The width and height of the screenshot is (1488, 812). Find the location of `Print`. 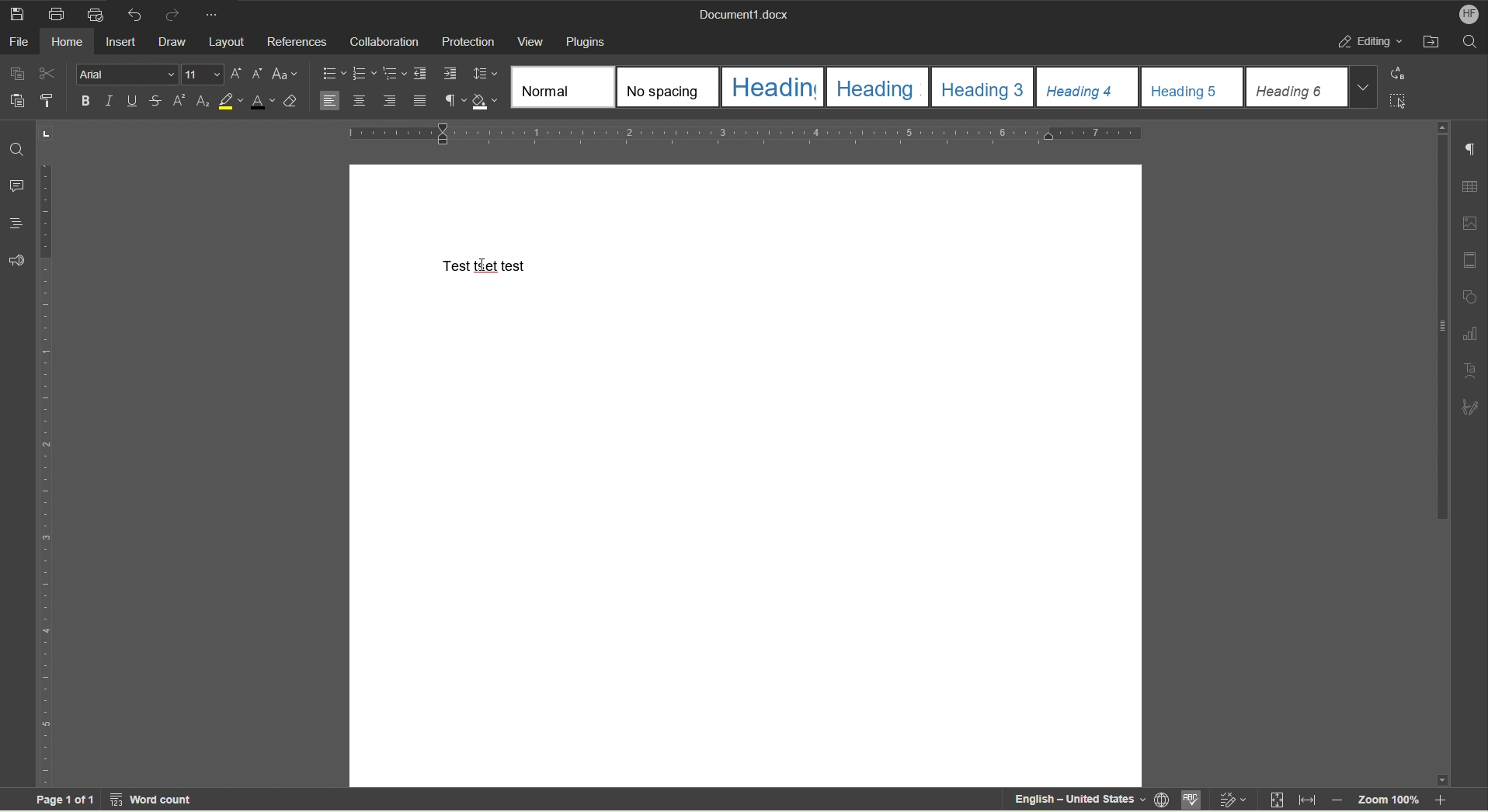

Print is located at coordinates (61, 13).